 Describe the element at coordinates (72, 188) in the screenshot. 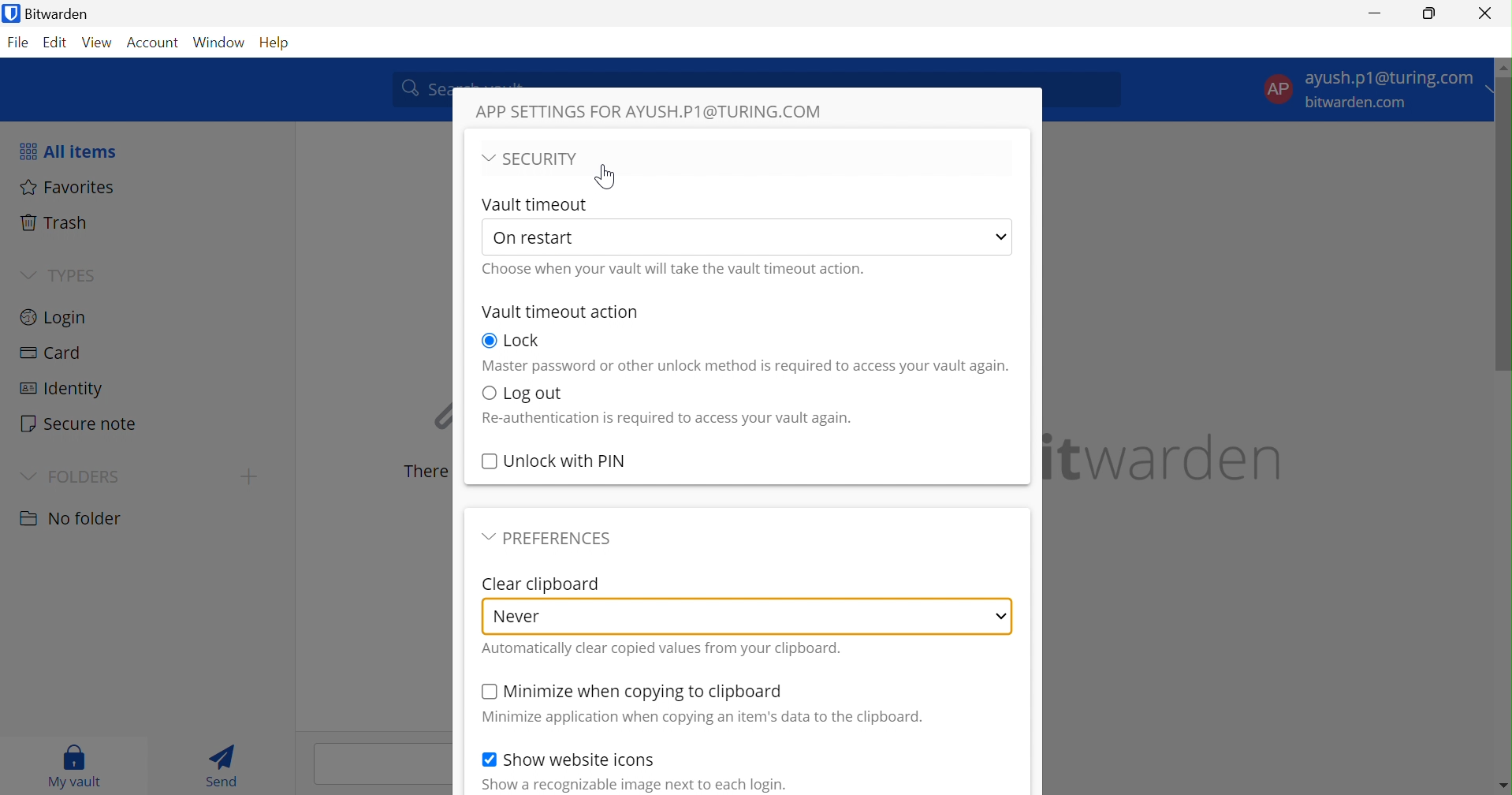

I see `Favorites` at that location.